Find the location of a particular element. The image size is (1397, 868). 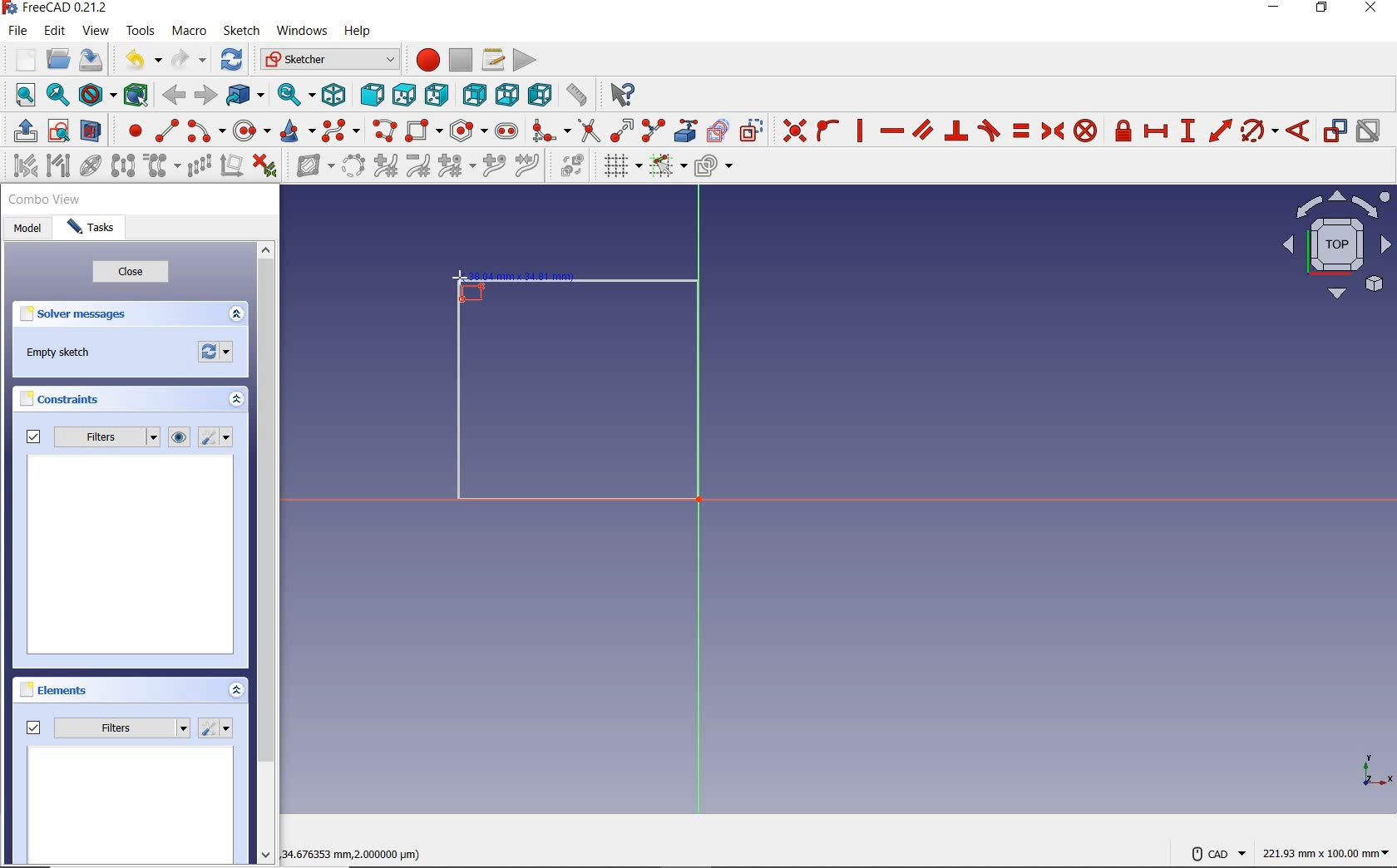

filters is located at coordinates (108, 725).